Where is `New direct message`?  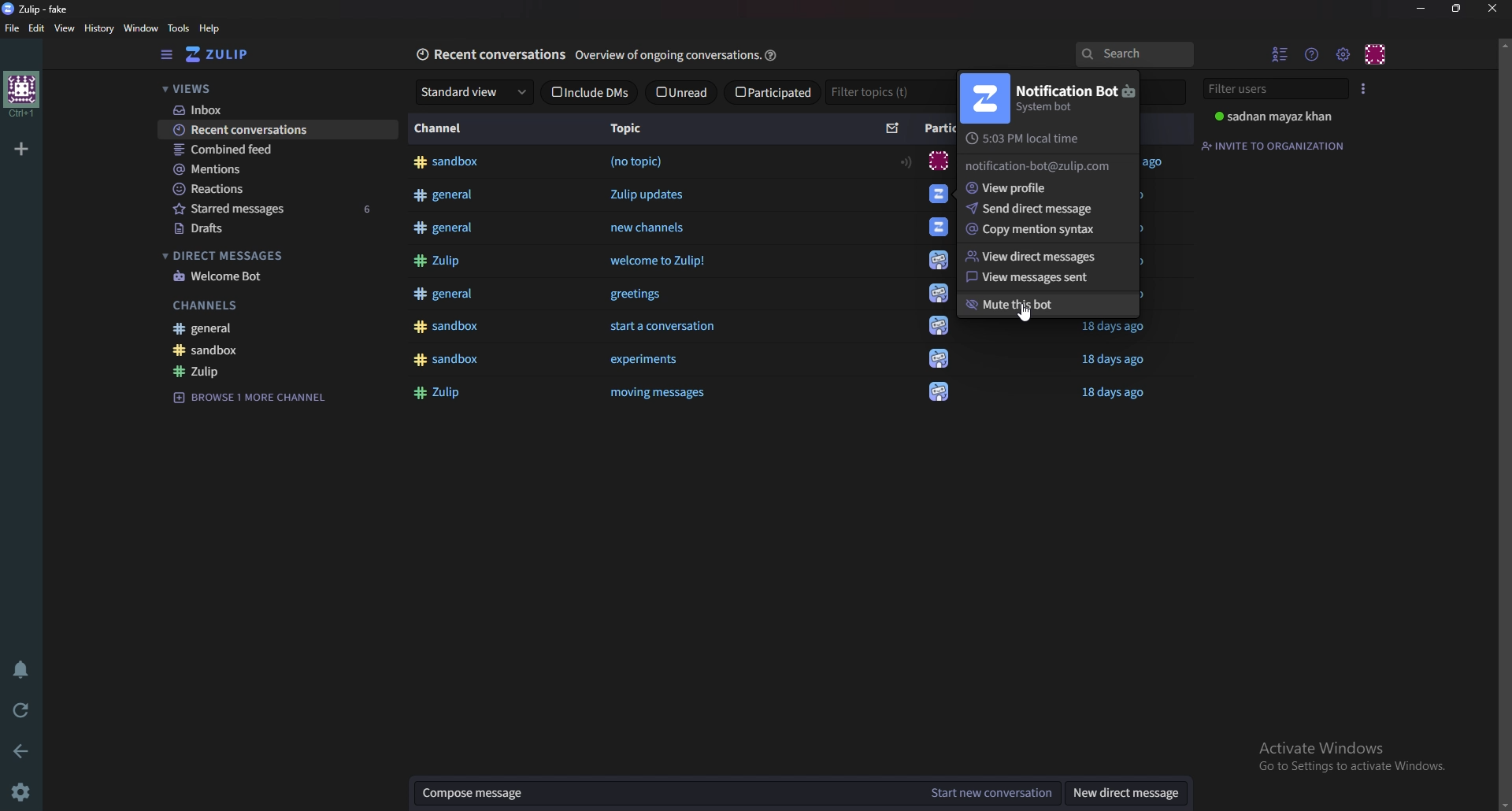
New direct message is located at coordinates (1122, 792).